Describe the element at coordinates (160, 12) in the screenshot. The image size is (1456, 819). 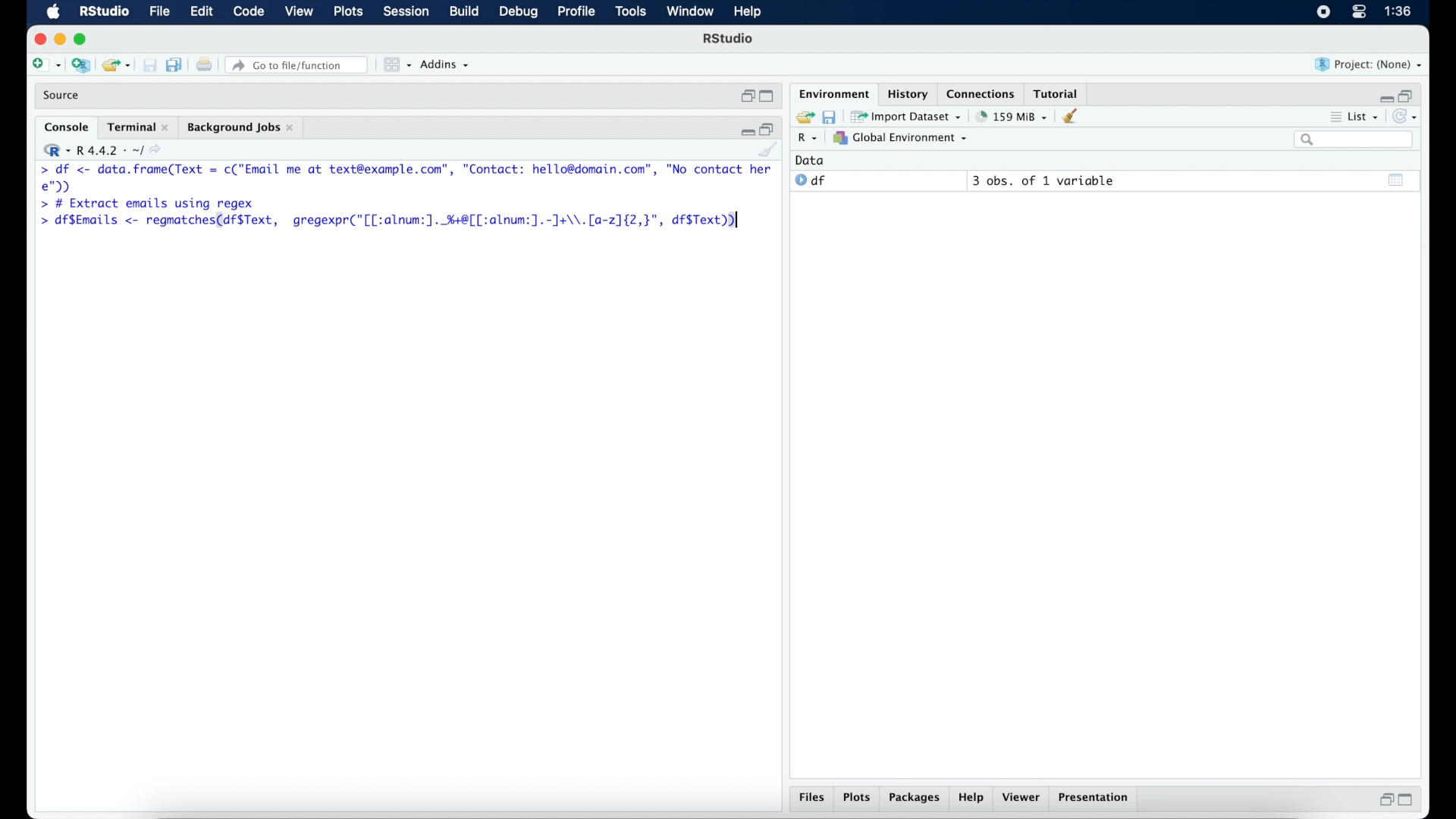
I see `file` at that location.